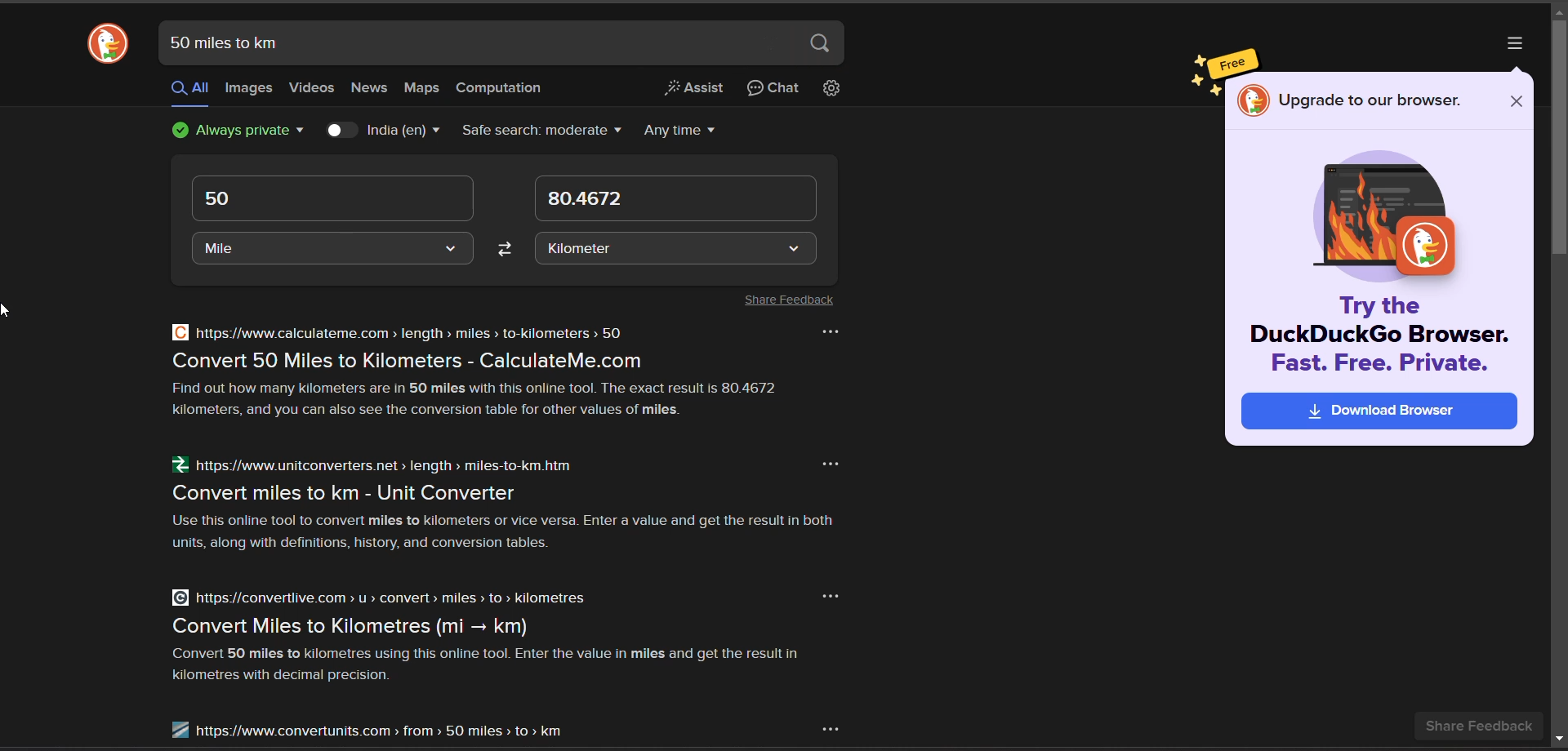 Image resolution: width=1568 pixels, height=751 pixels. I want to click on country, so click(405, 129).